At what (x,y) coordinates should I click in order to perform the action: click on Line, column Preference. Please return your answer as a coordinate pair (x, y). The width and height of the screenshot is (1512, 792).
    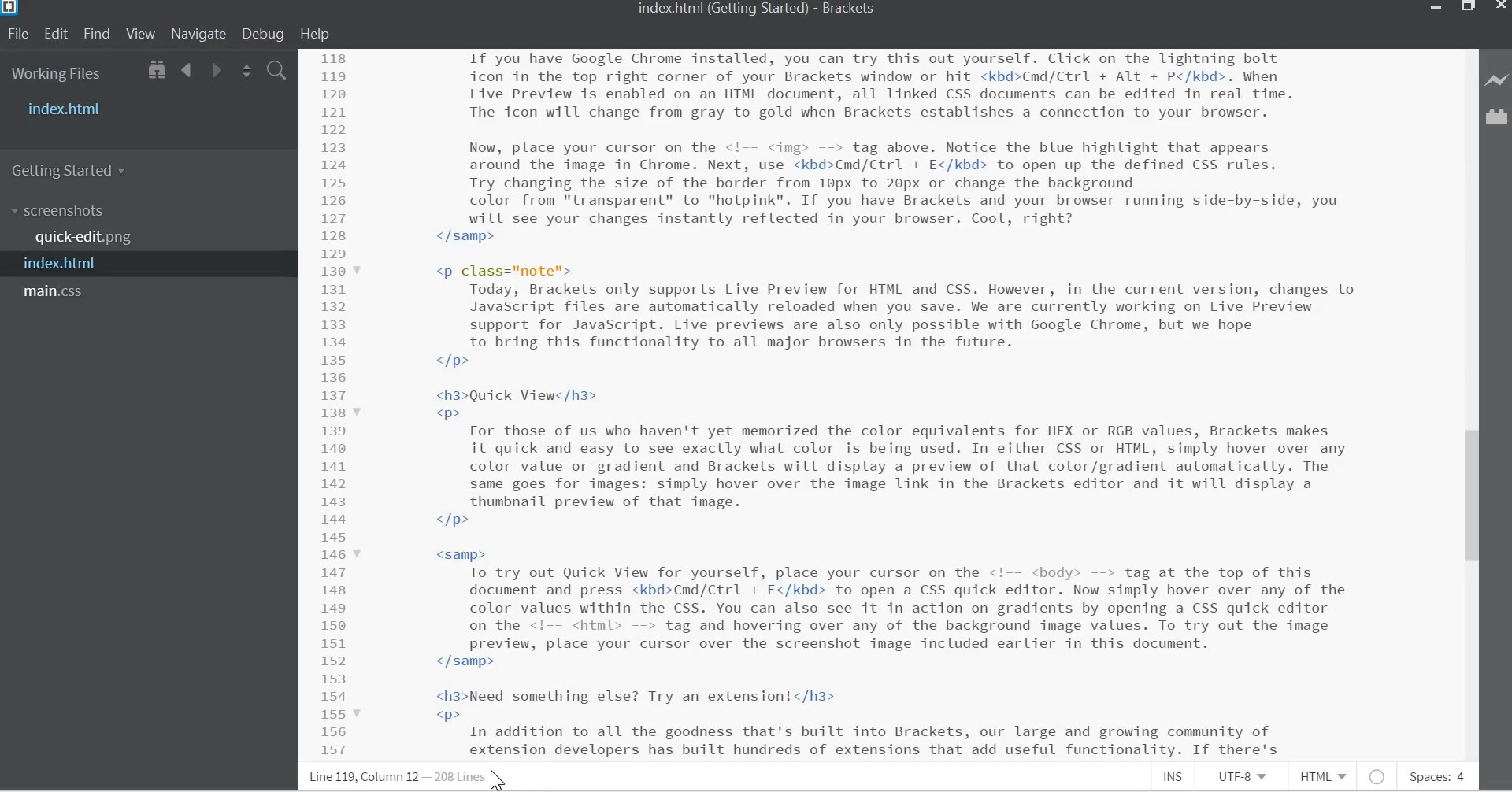
    Looking at the image, I should click on (361, 777).